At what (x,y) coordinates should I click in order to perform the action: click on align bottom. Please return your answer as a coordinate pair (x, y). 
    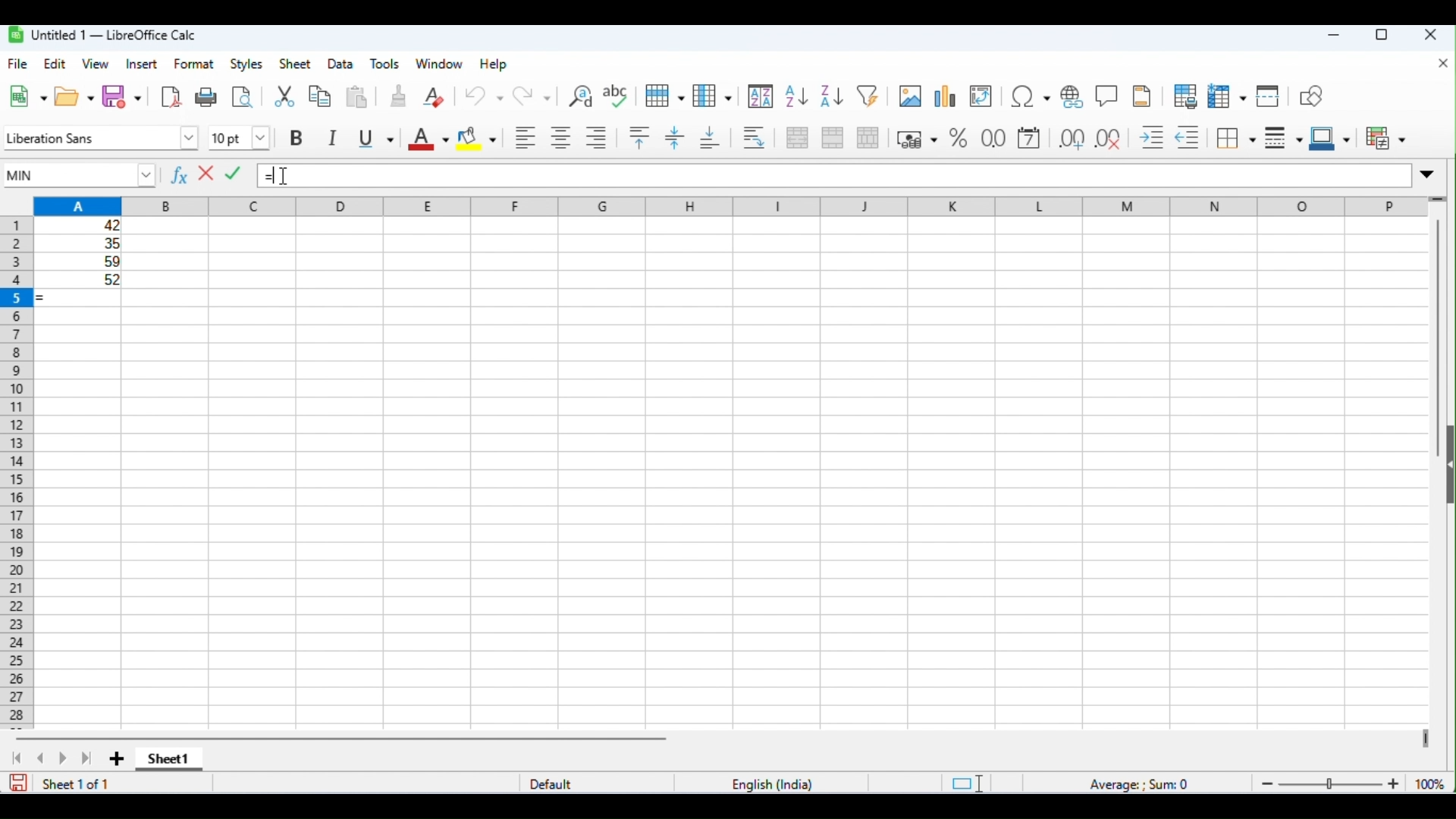
    Looking at the image, I should click on (711, 138).